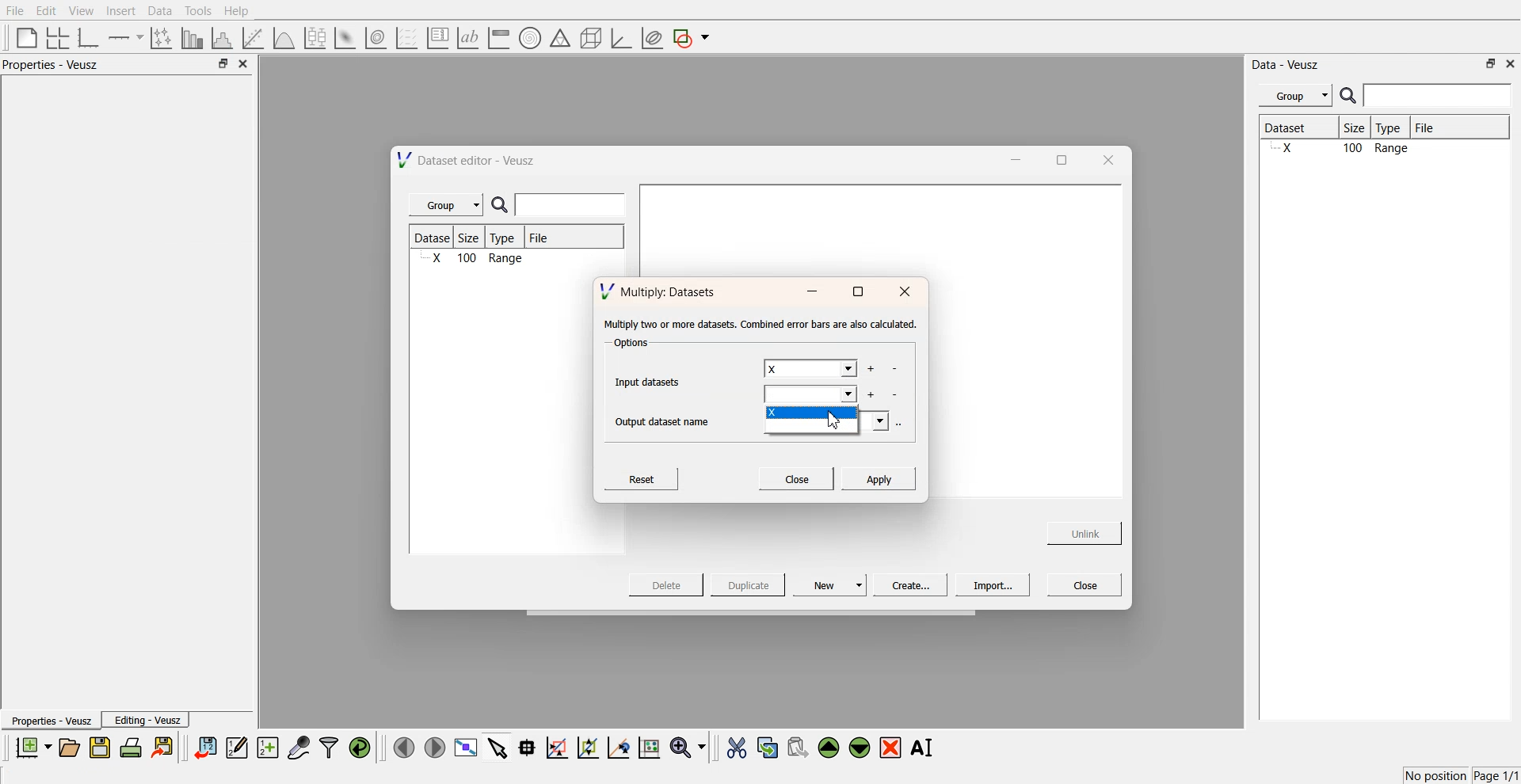 The width and height of the screenshot is (1521, 784). What do you see at coordinates (529, 40) in the screenshot?
I see `polar graph` at bounding box center [529, 40].